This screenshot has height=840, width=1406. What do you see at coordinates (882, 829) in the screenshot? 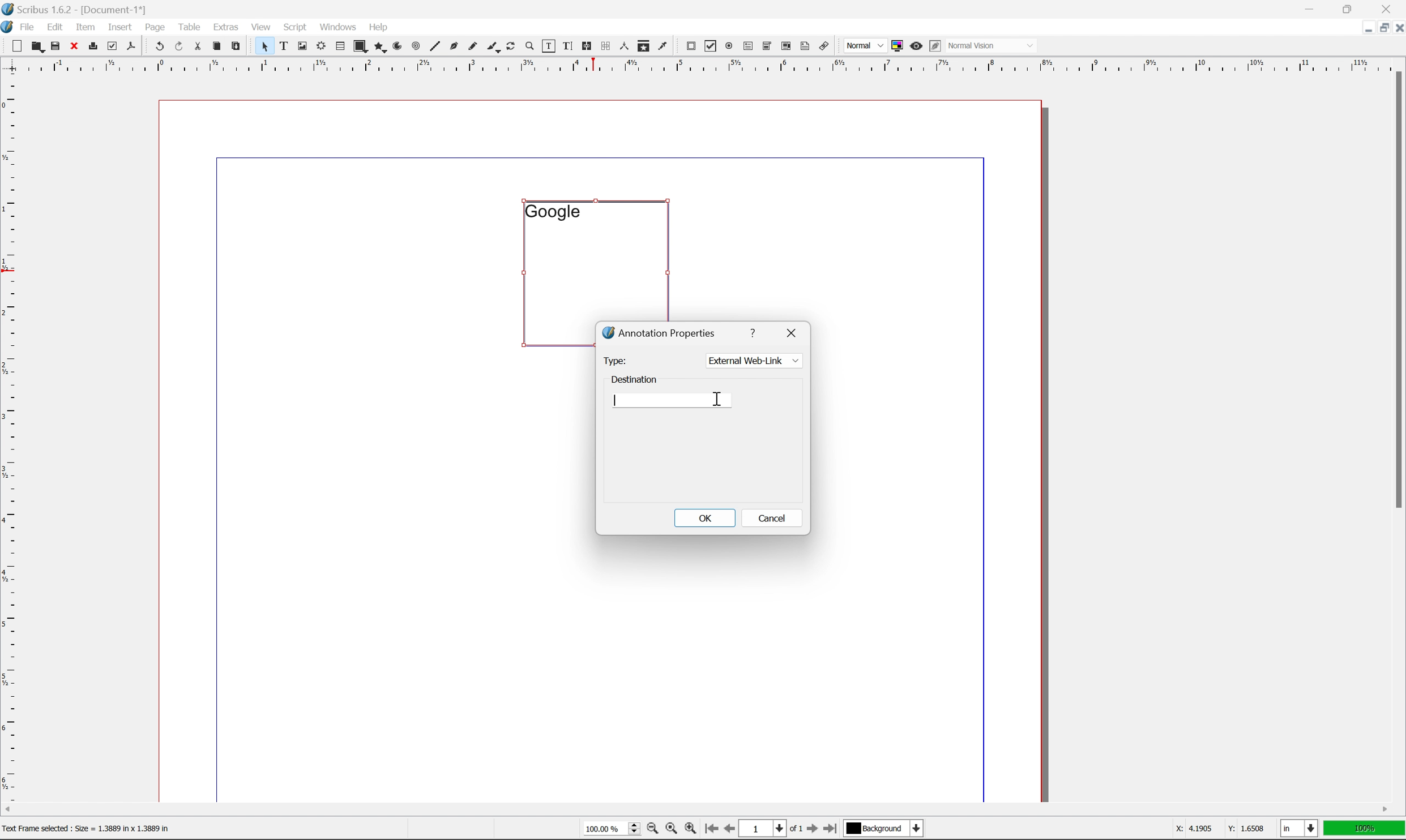
I see `select current layer` at bounding box center [882, 829].